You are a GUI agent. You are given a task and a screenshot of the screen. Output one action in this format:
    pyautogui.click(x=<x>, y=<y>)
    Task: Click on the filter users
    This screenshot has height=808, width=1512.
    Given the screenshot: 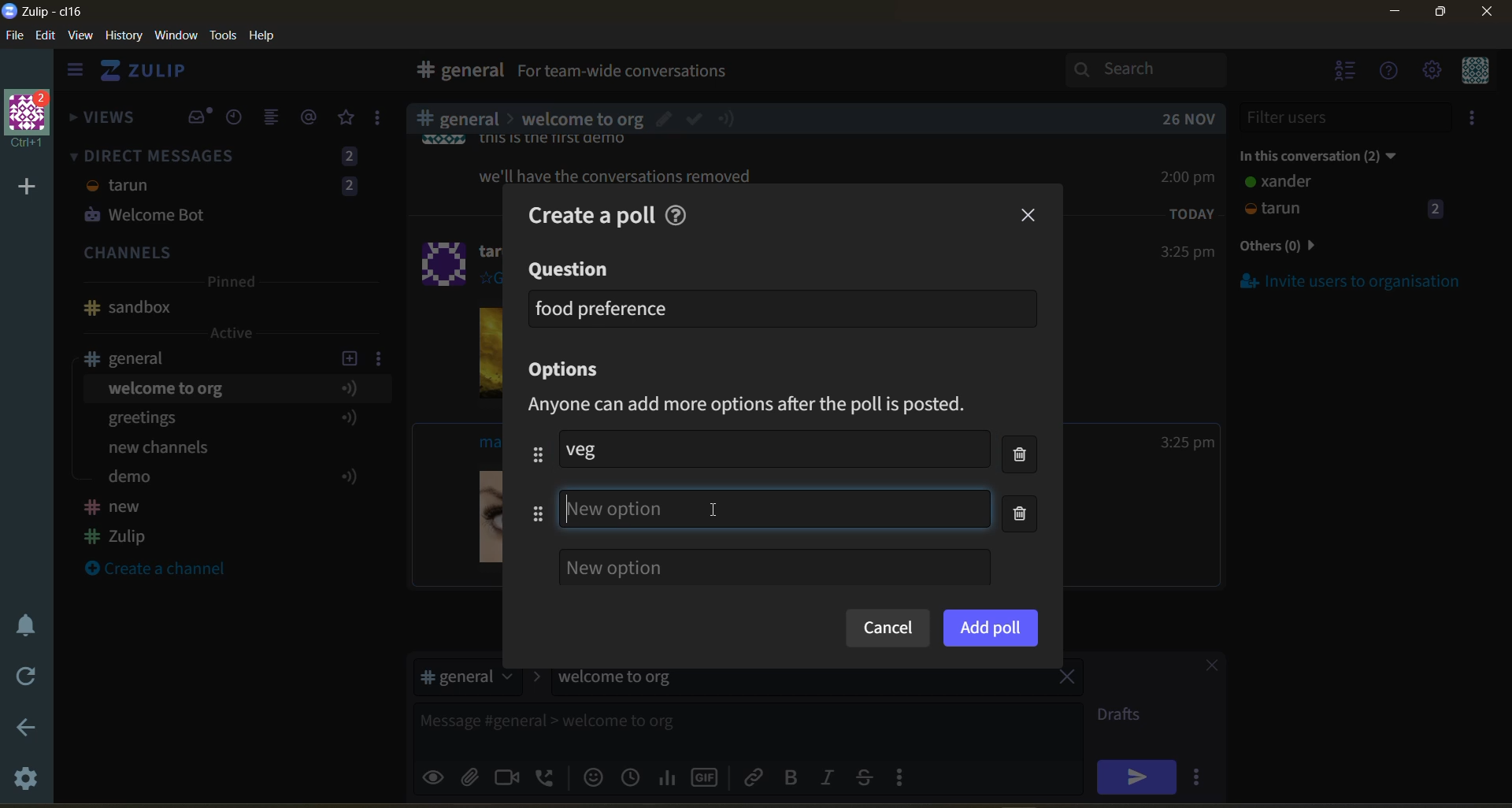 What is the action you would take?
    pyautogui.click(x=1347, y=117)
    